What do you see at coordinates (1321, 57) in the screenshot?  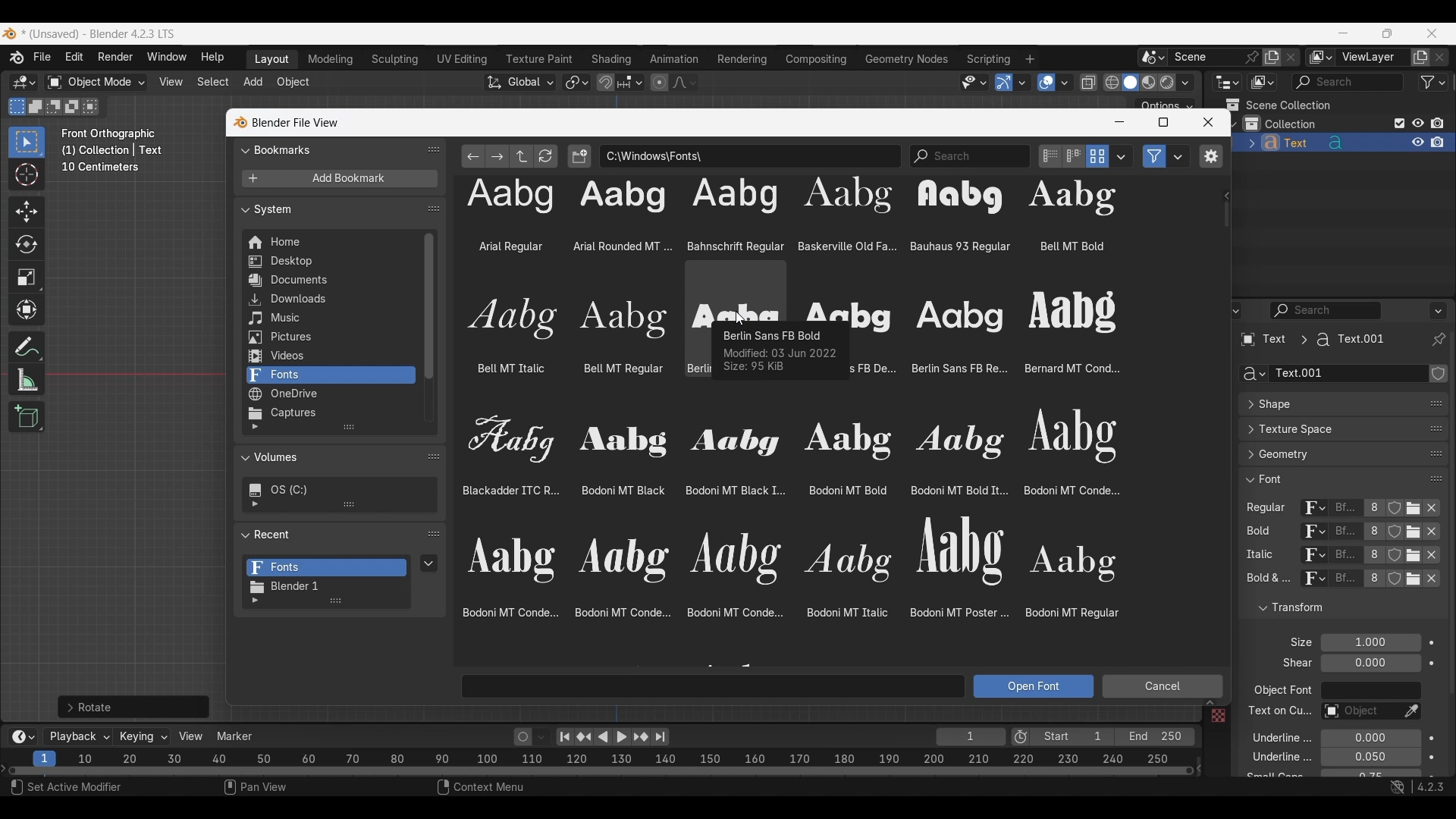 I see `The active workspace view layer showing in the window` at bounding box center [1321, 57].